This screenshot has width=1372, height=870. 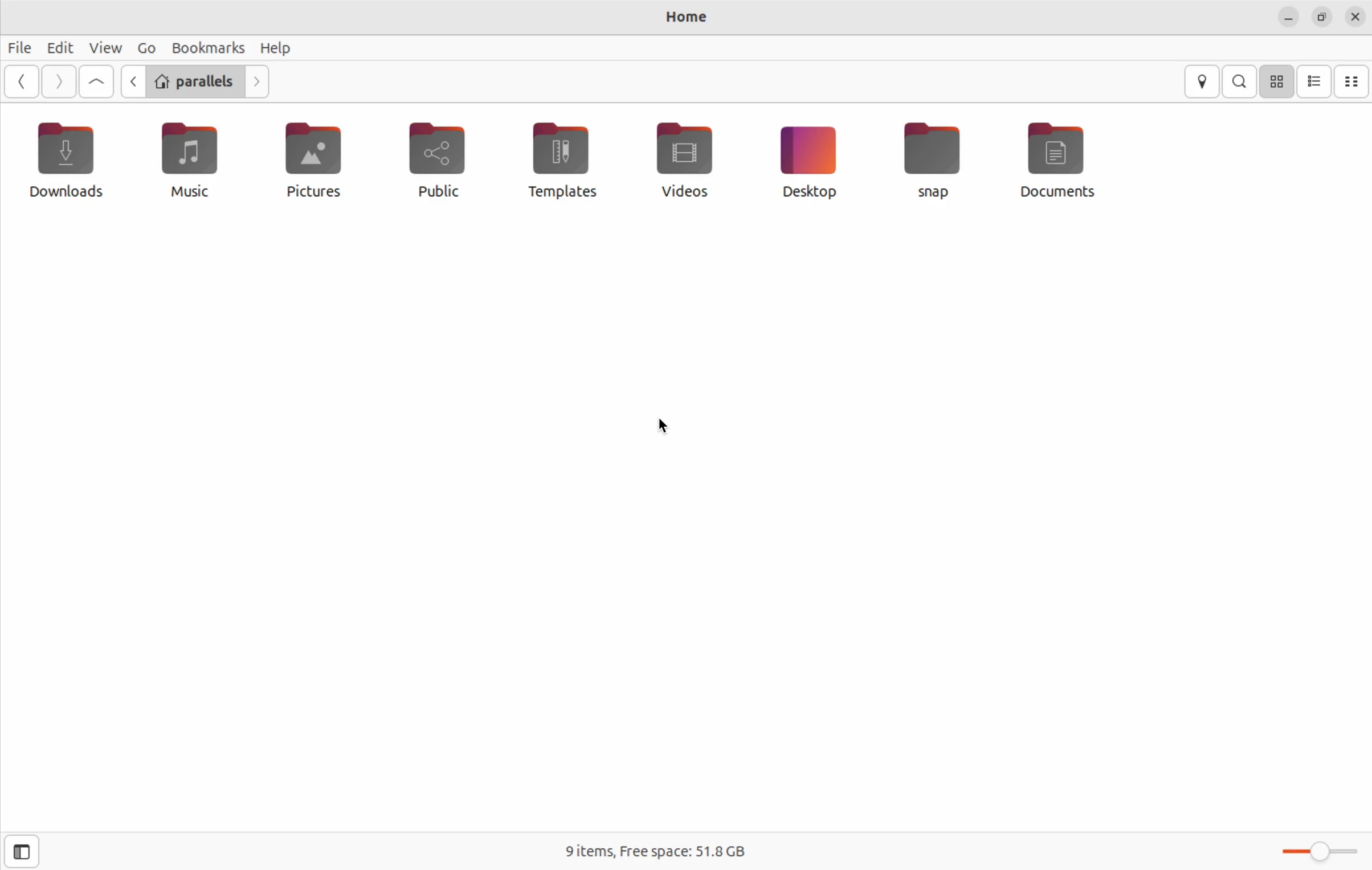 I want to click on list view, so click(x=1315, y=81).